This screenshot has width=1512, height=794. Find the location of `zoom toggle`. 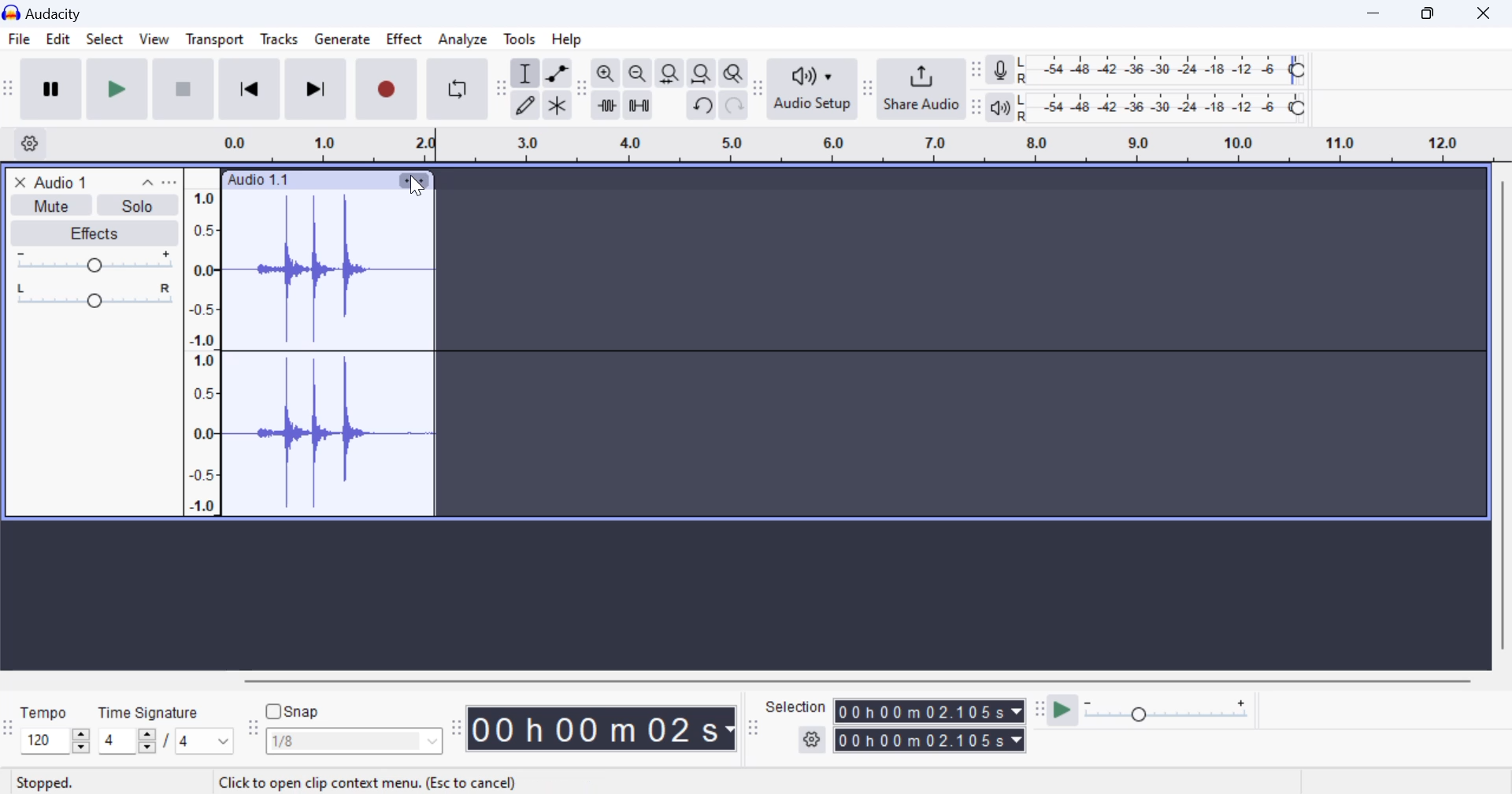

zoom toggle is located at coordinates (735, 75).